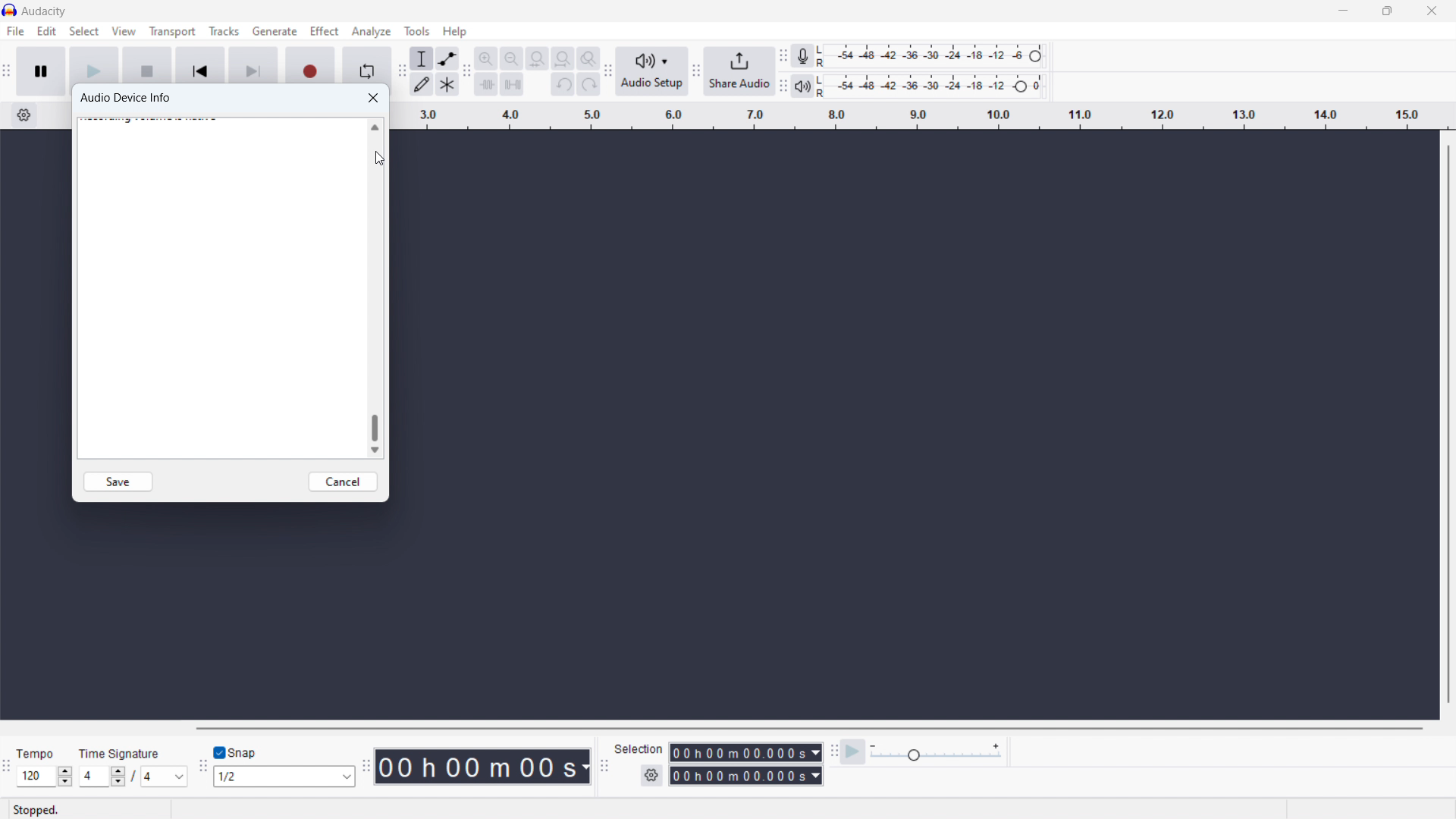 This screenshot has height=819, width=1456. I want to click on set time signature, so click(129, 777).